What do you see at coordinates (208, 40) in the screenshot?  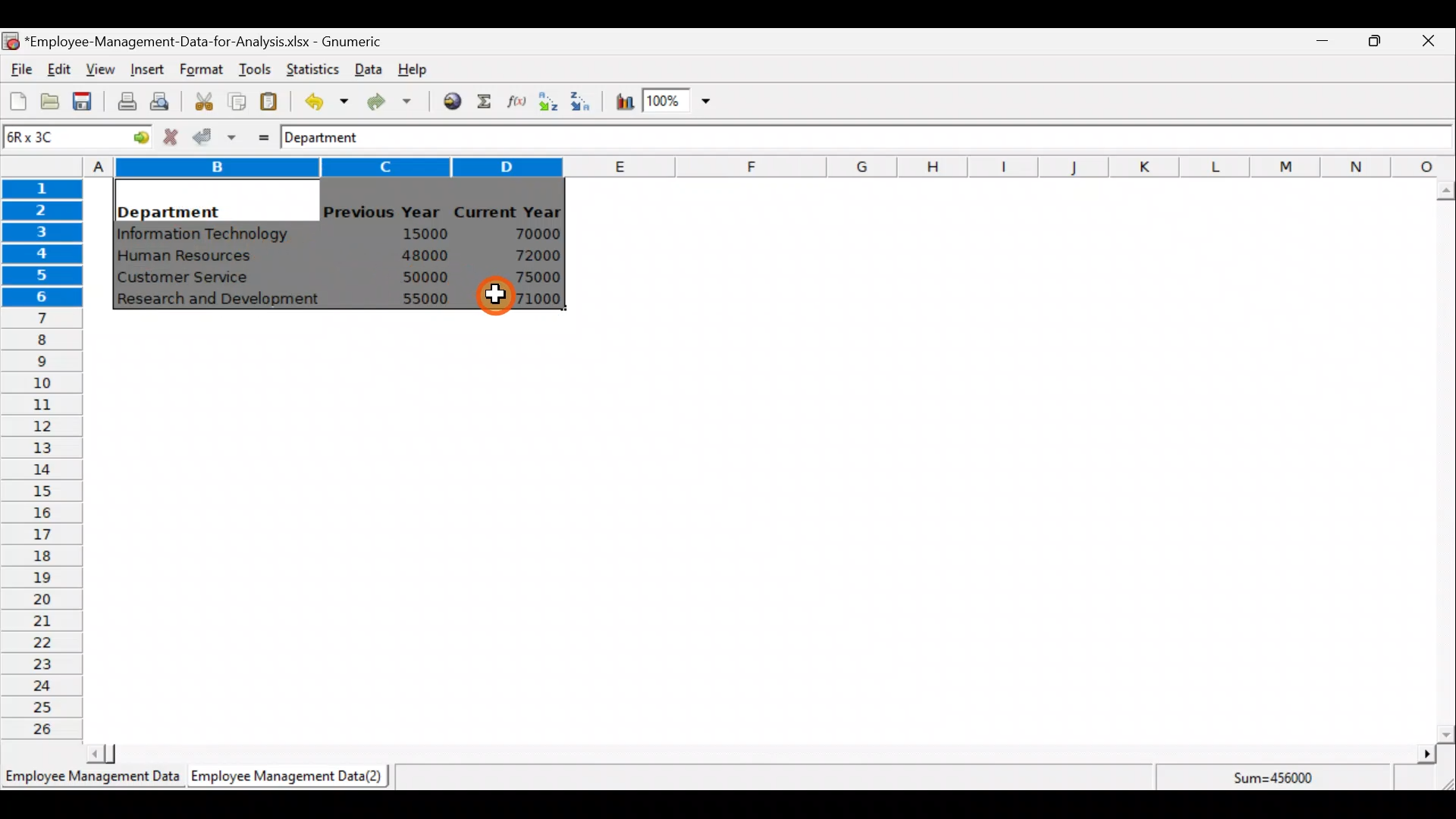 I see `‘Employee-Management-Data-for-Analysis.xlsx - Gnumeric` at bounding box center [208, 40].